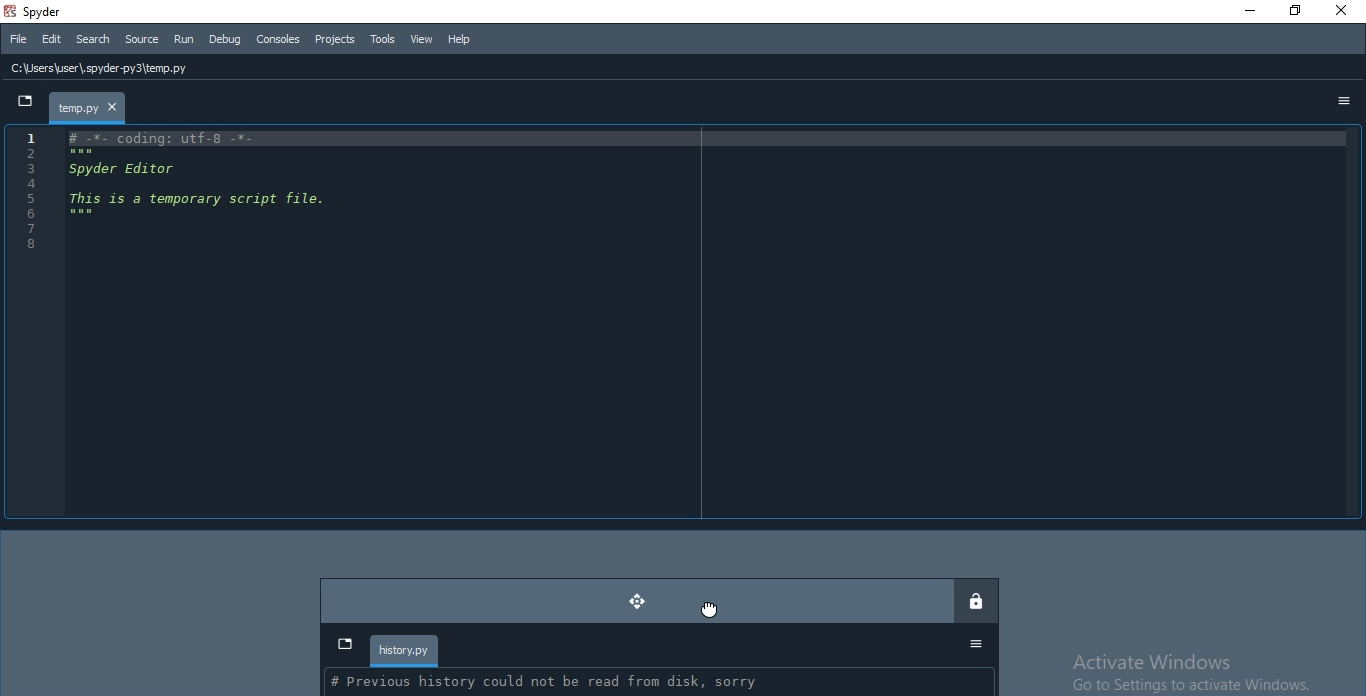  What do you see at coordinates (225, 39) in the screenshot?
I see `Debug` at bounding box center [225, 39].